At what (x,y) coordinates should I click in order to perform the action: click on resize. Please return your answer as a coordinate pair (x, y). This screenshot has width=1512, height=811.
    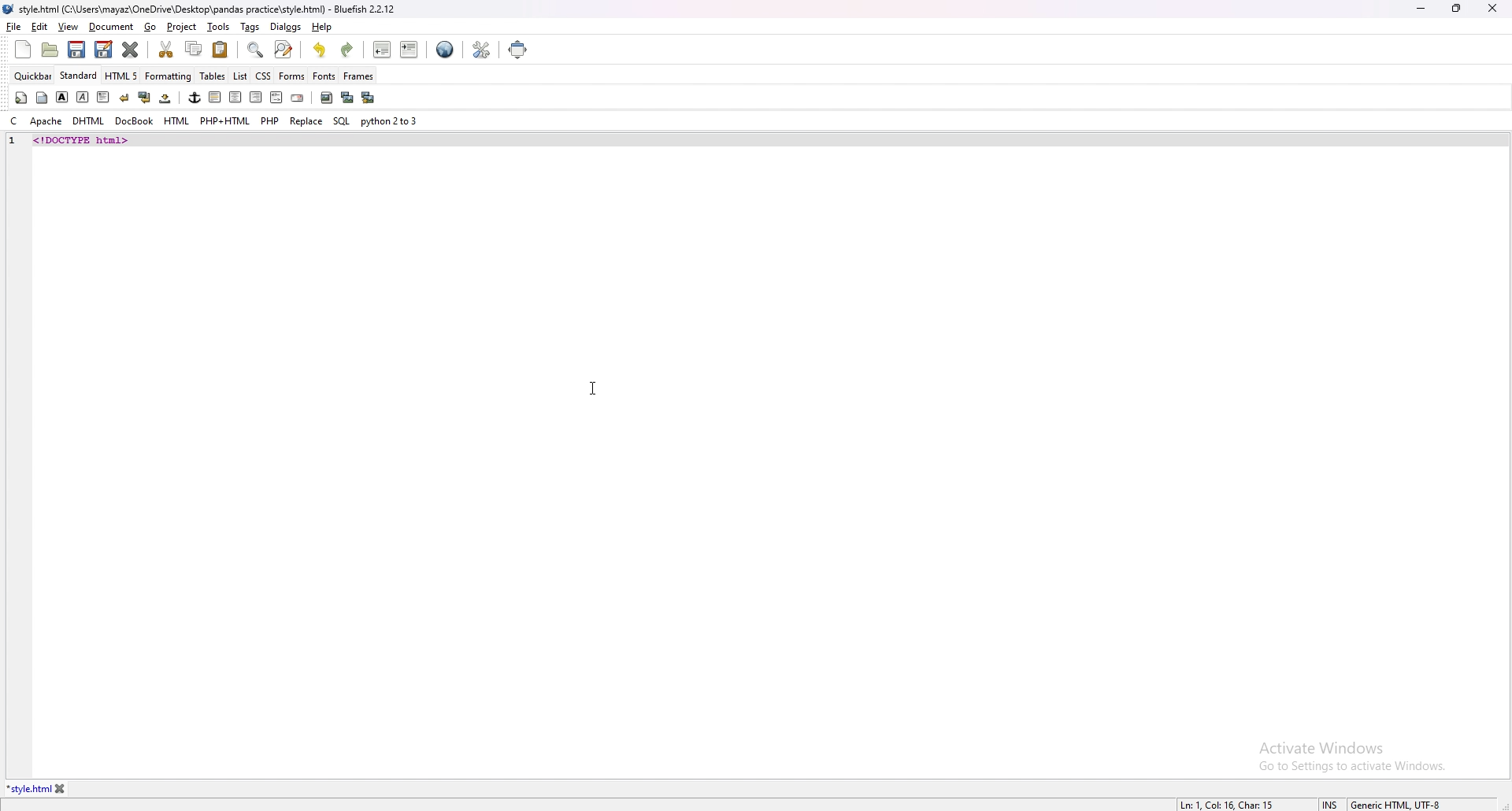
    Looking at the image, I should click on (1456, 8).